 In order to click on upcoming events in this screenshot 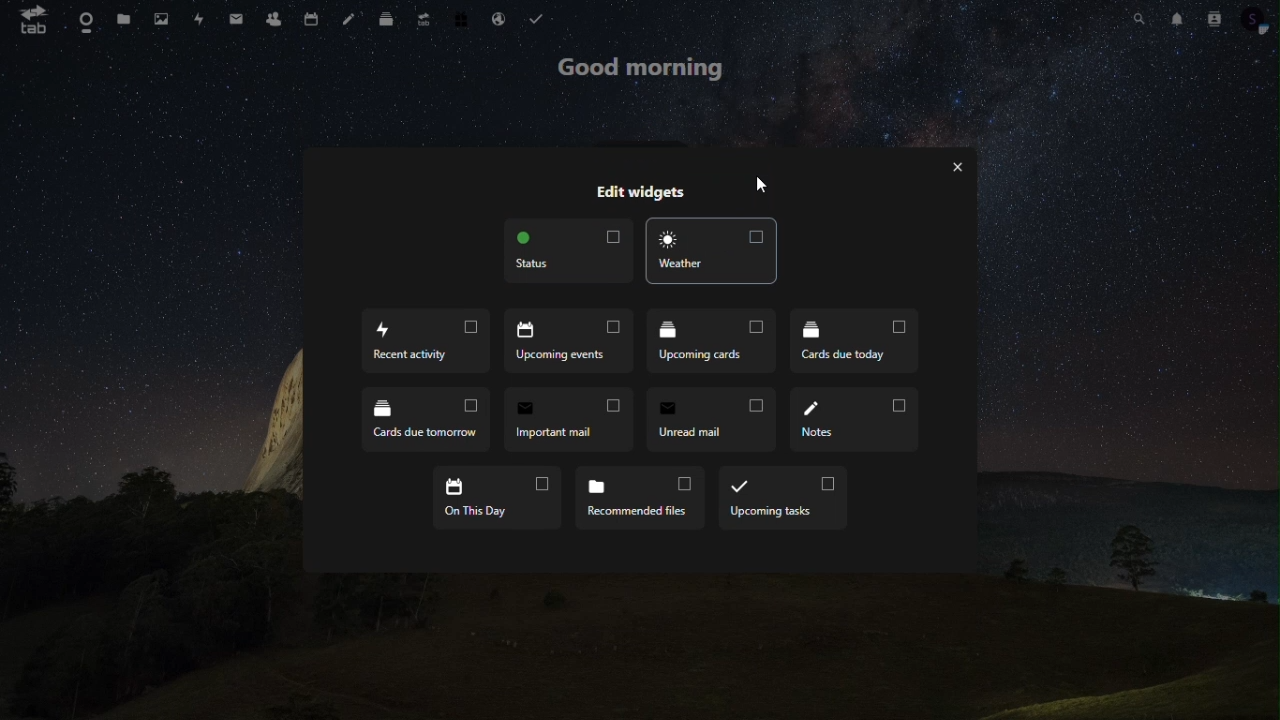, I will do `click(572, 339)`.